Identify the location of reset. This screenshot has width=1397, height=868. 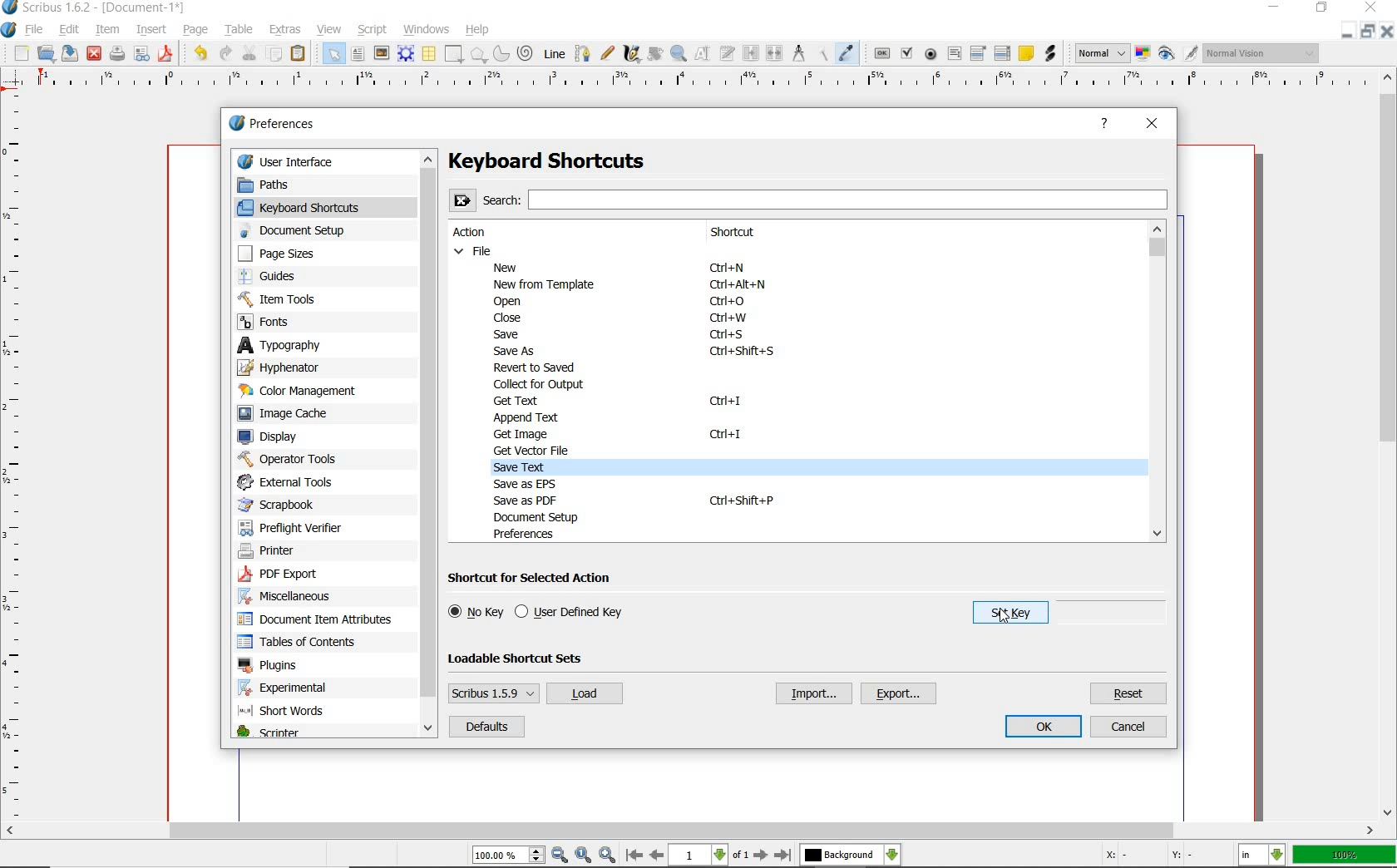
(1129, 693).